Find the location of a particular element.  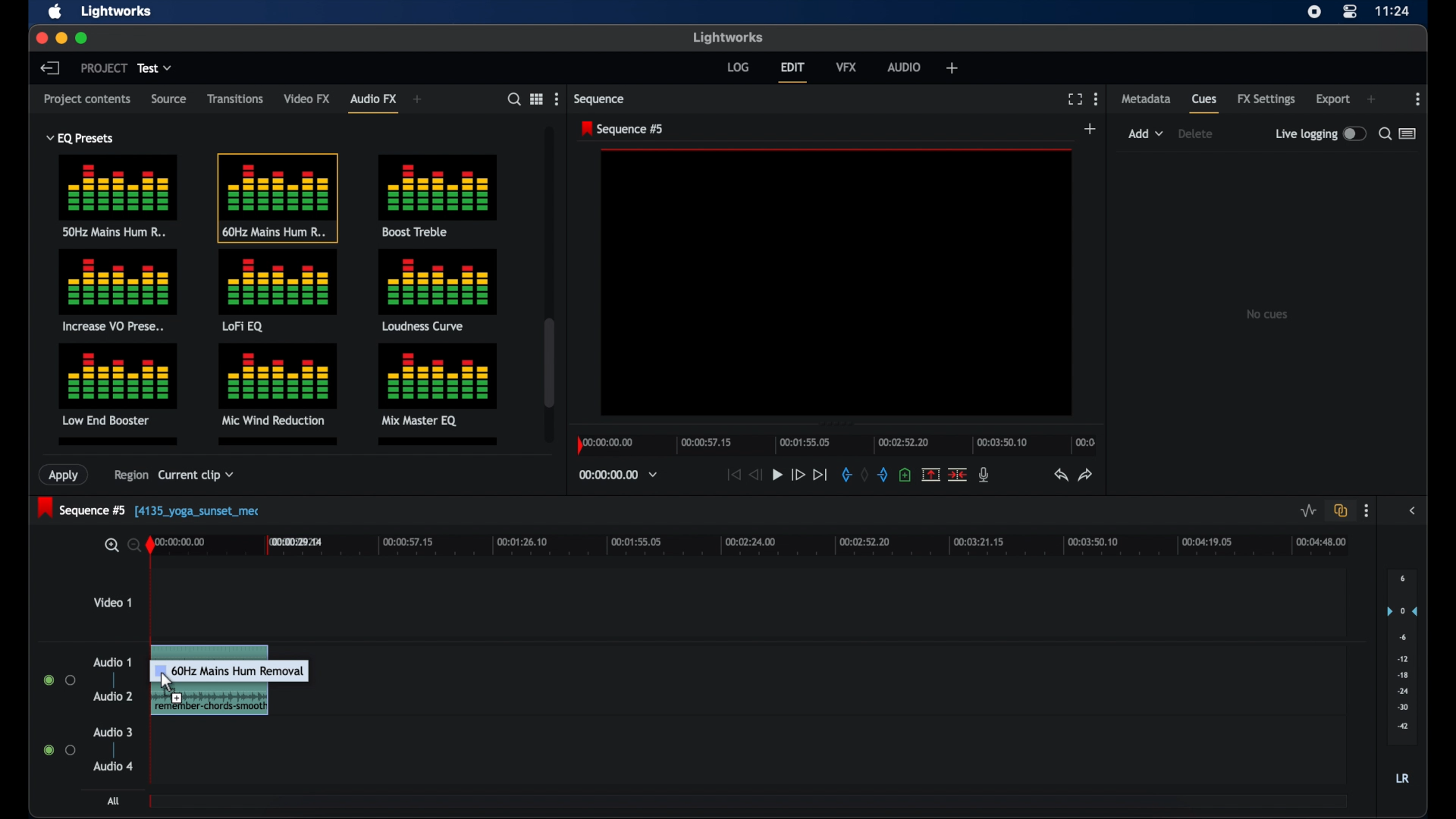

control center is located at coordinates (1348, 12).